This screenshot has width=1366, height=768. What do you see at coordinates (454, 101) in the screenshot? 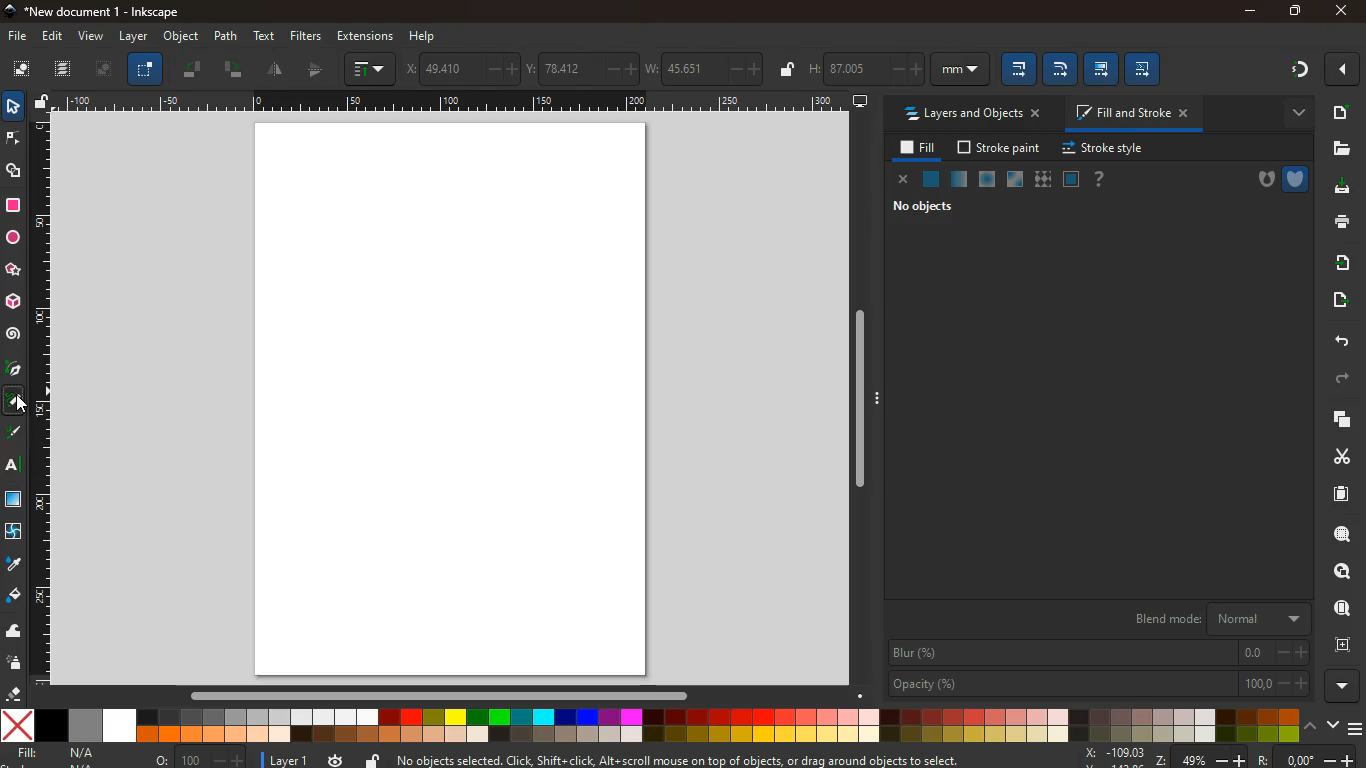
I see `Scale` at bounding box center [454, 101].